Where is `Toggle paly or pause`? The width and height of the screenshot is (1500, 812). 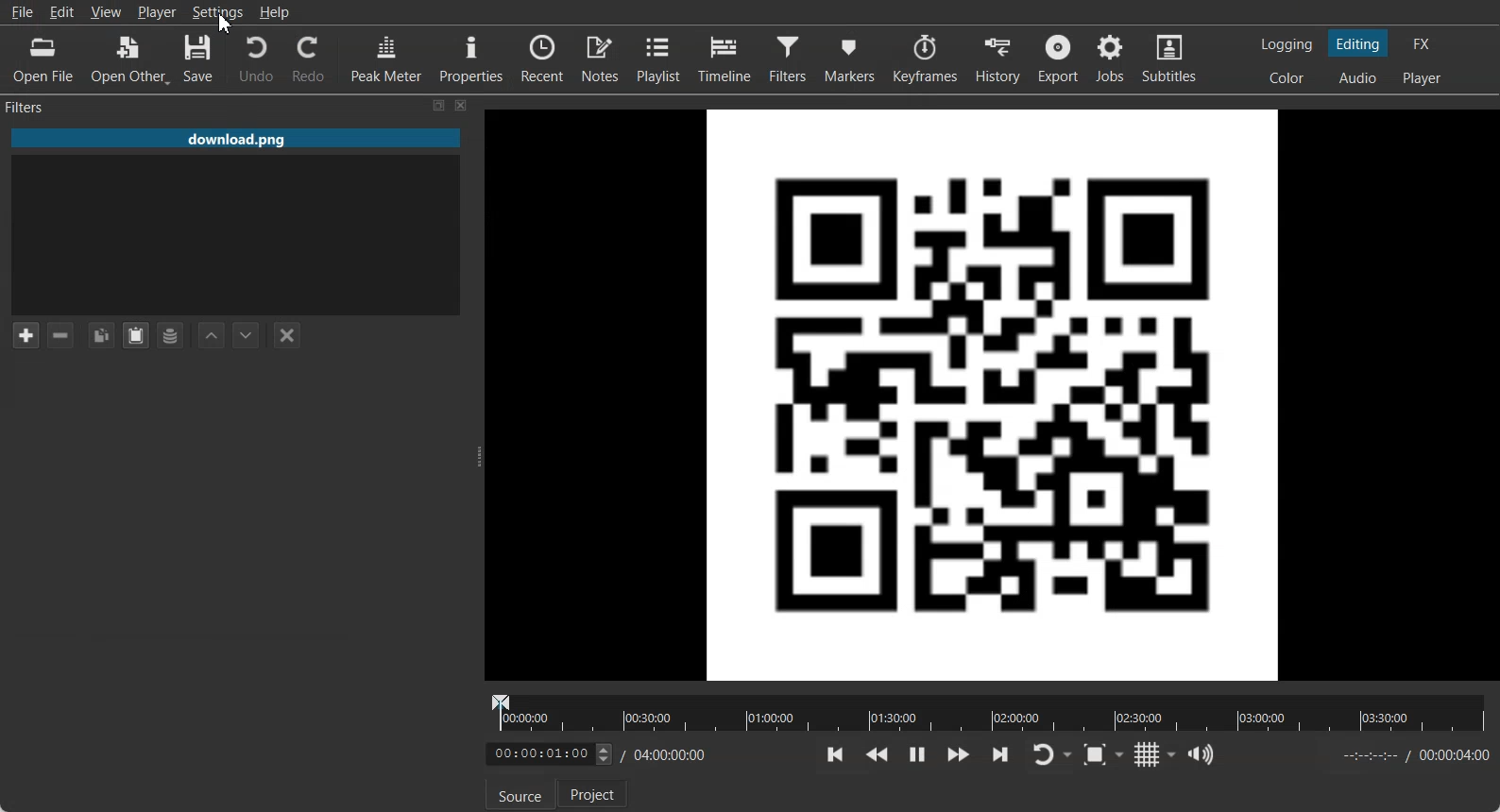 Toggle paly or pause is located at coordinates (915, 755).